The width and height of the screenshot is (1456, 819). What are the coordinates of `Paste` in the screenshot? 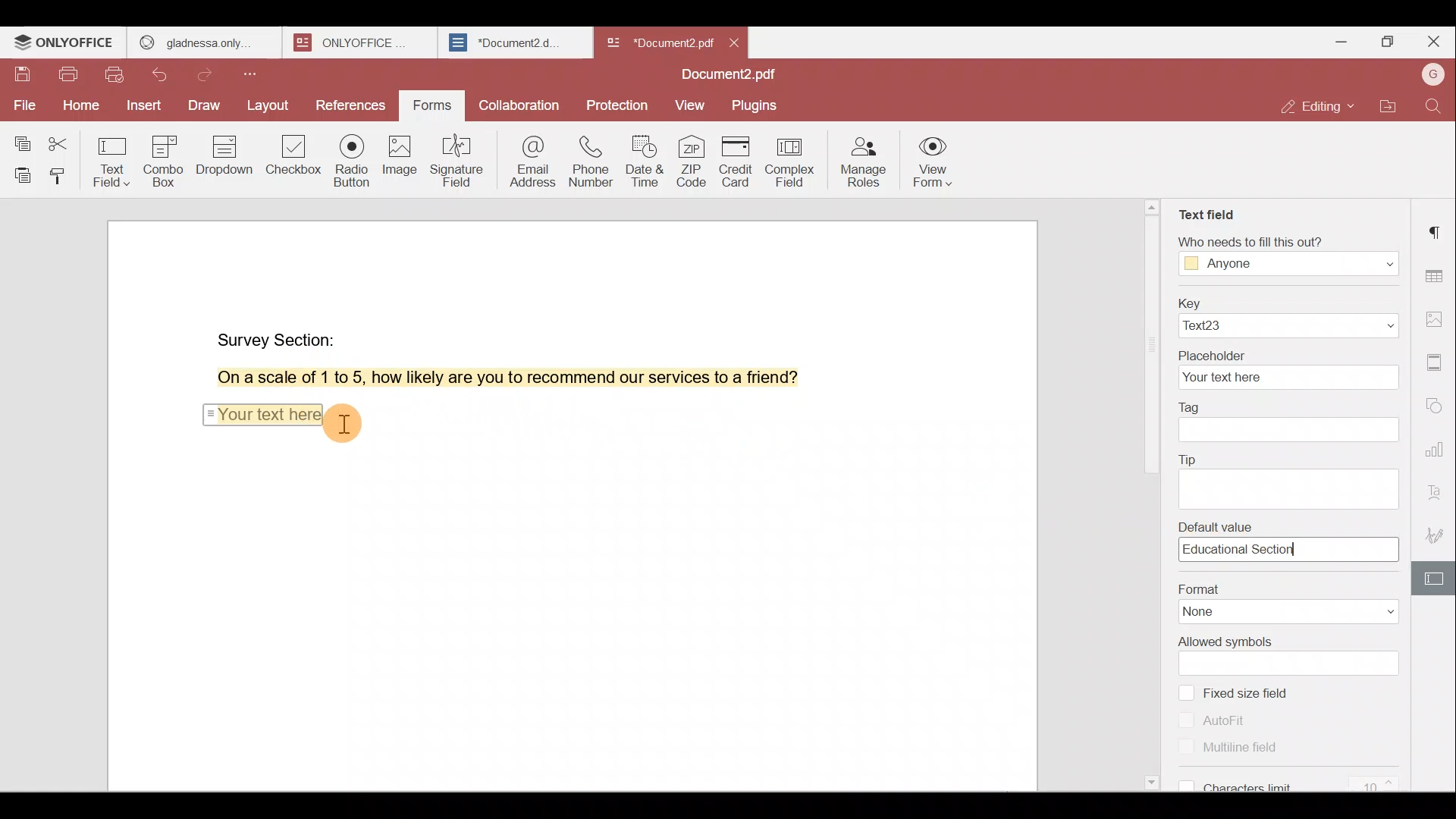 It's located at (18, 175).